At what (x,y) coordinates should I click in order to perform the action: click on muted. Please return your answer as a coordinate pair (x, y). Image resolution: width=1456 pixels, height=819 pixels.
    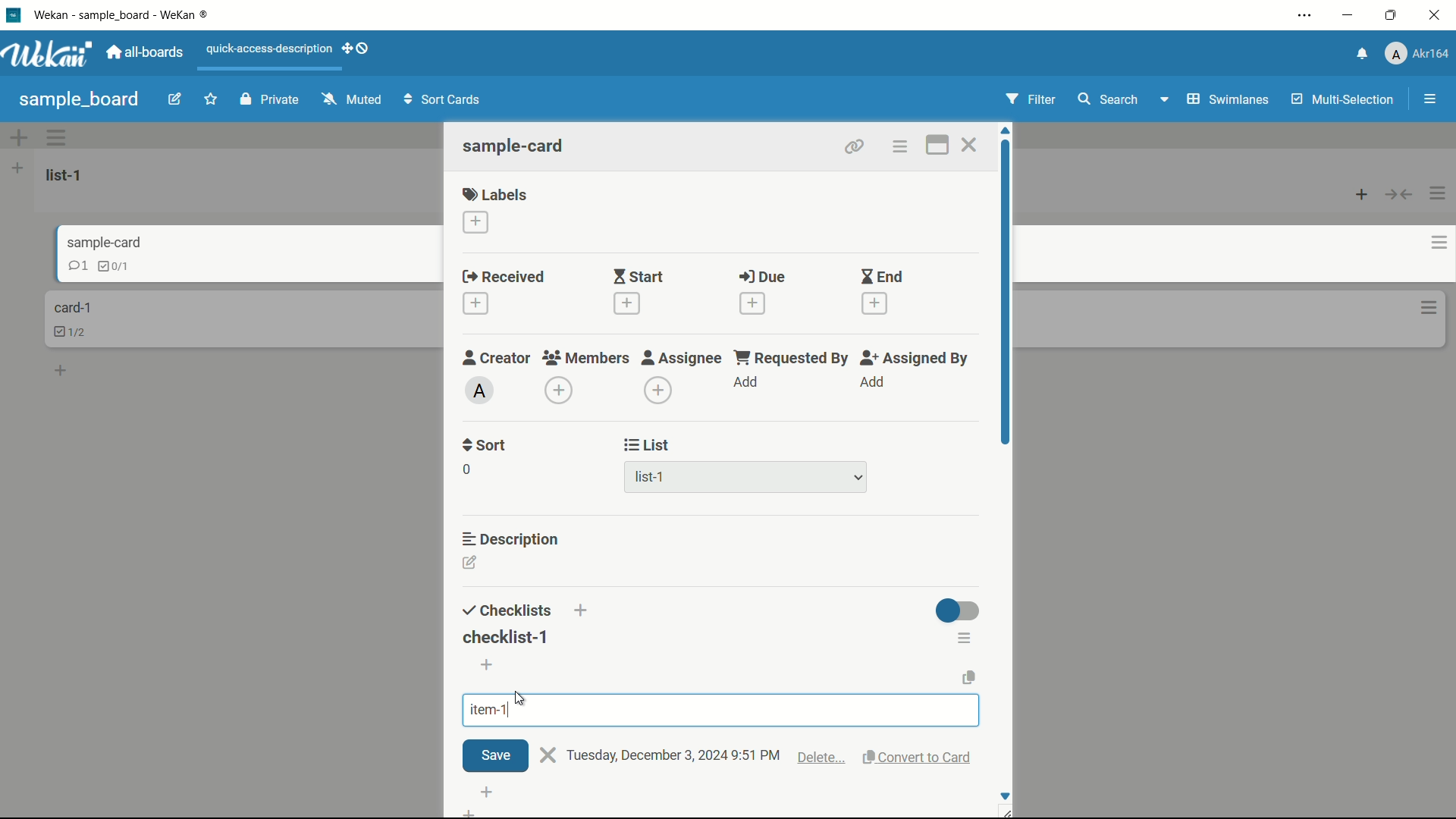
    Looking at the image, I should click on (353, 99).